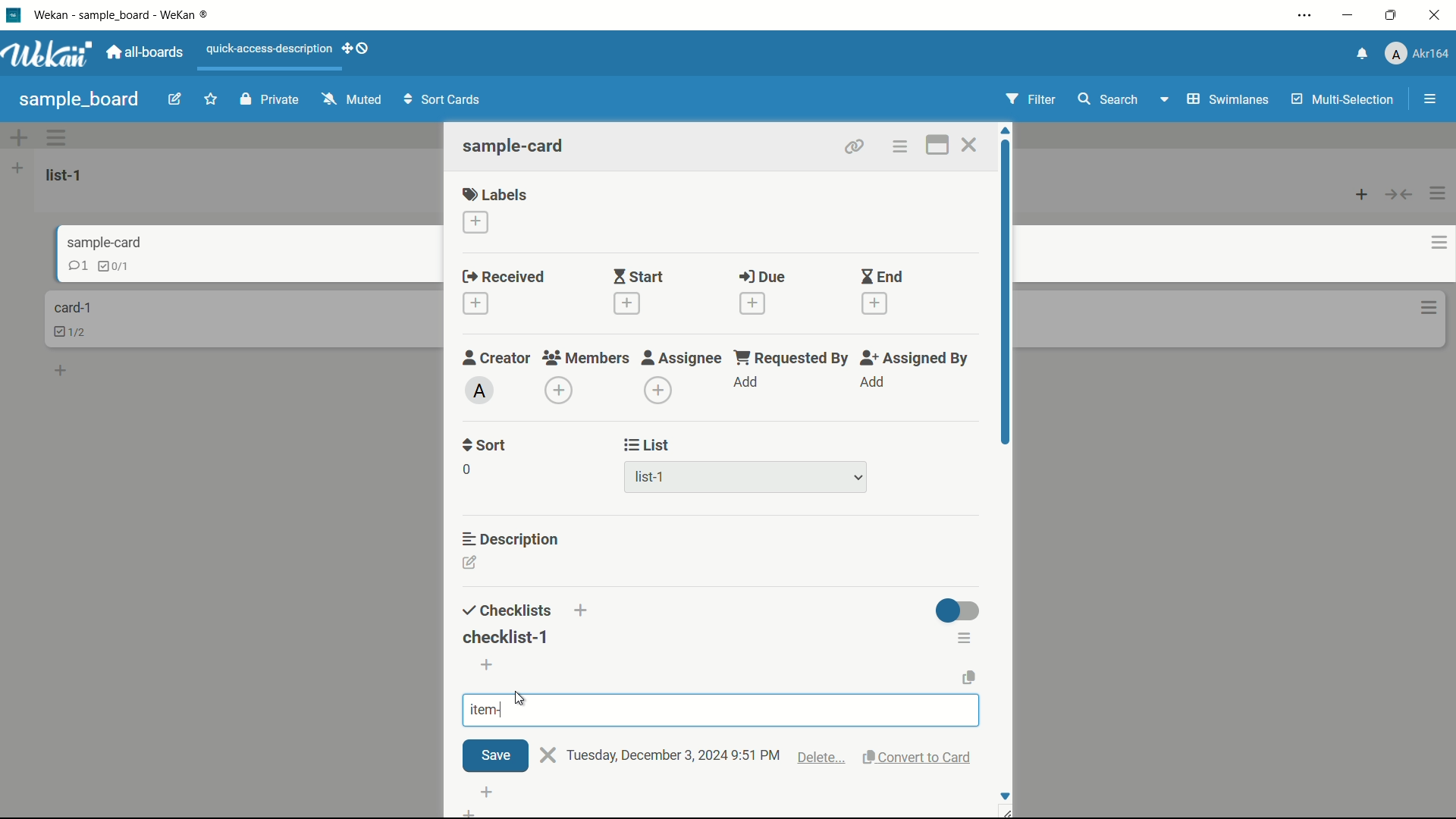 This screenshot has height=819, width=1456. I want to click on add swimlane, so click(19, 136).